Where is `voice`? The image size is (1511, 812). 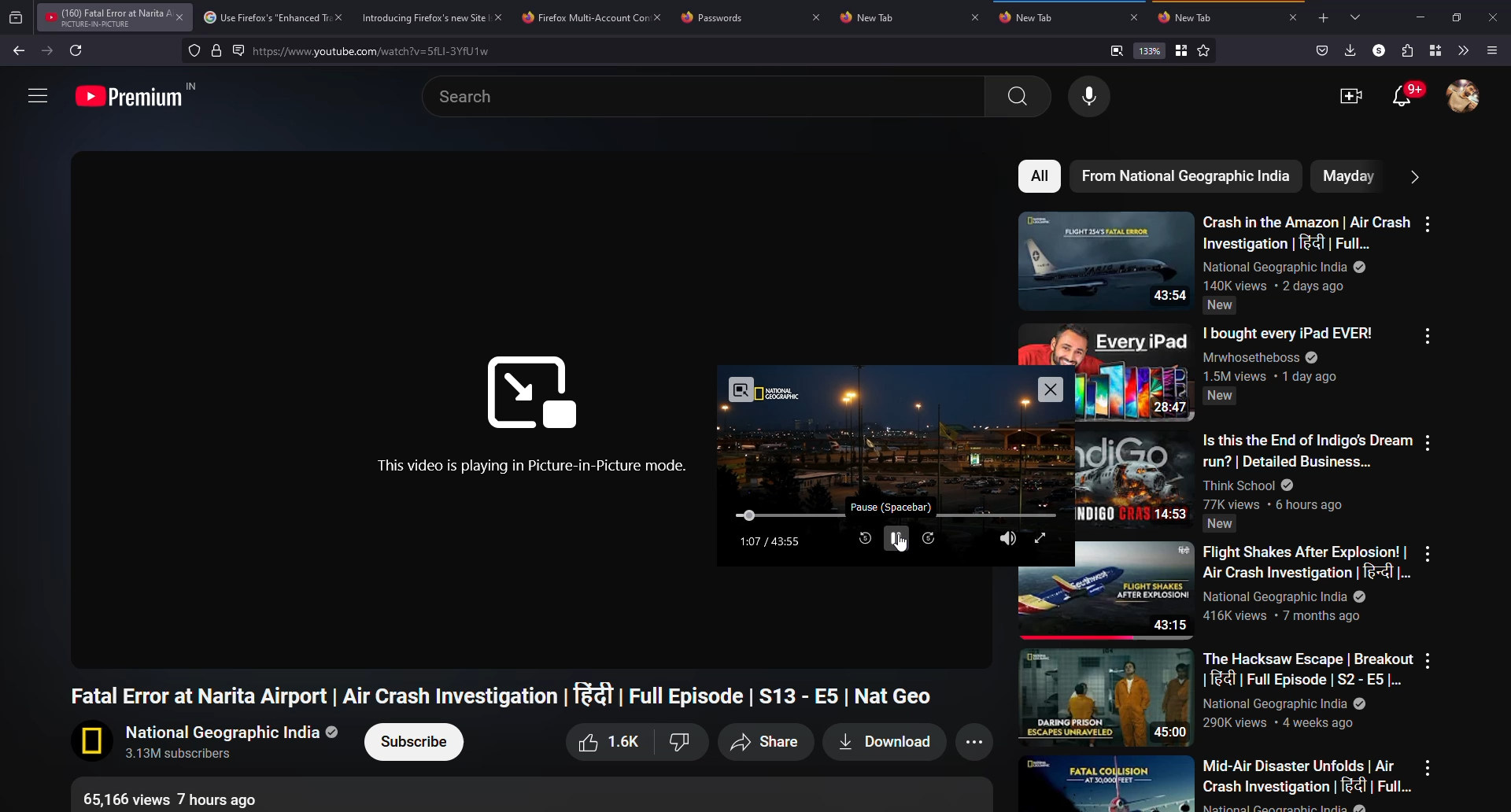 voice is located at coordinates (1092, 97).